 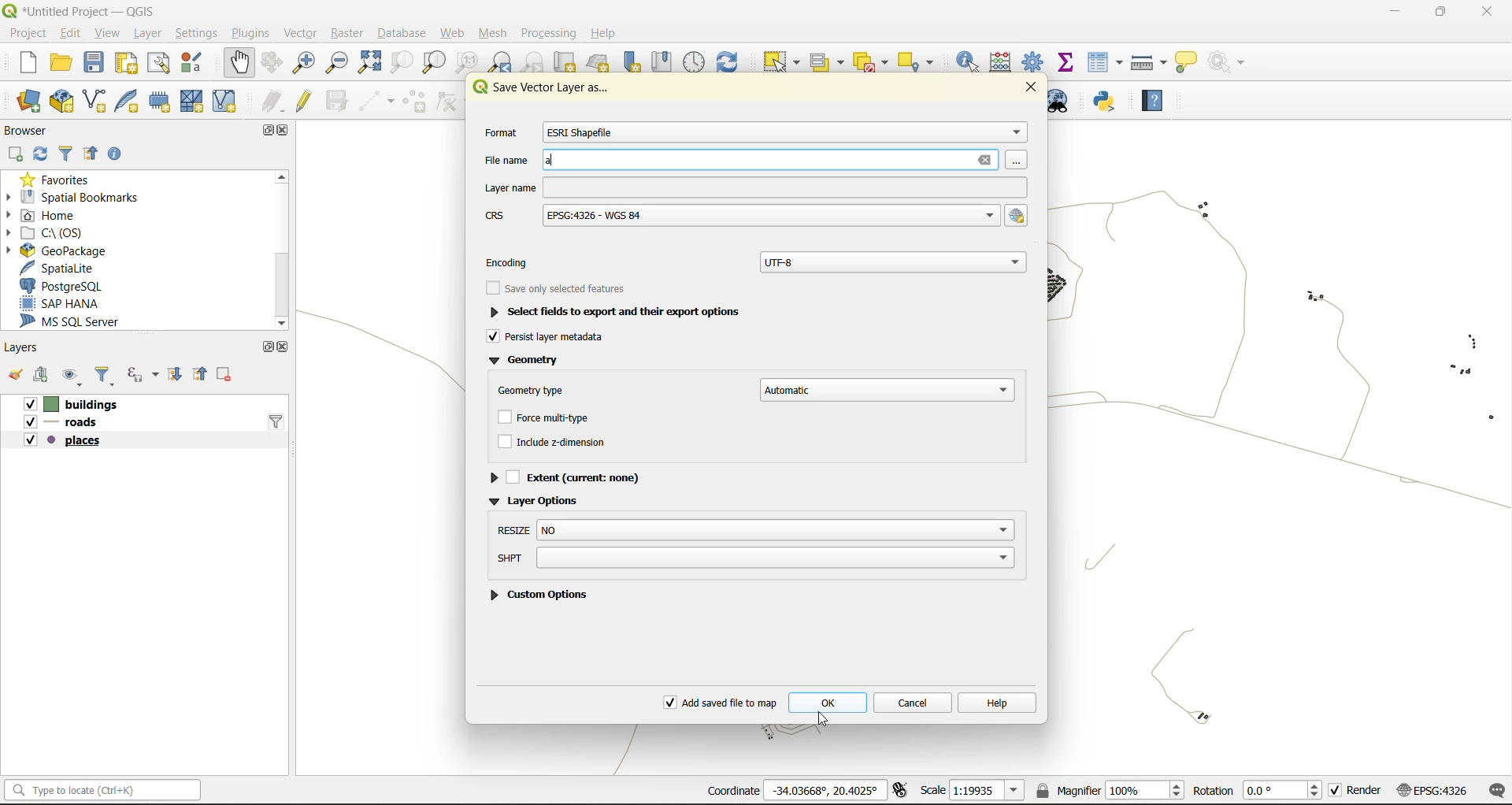 What do you see at coordinates (608, 33) in the screenshot?
I see `help` at bounding box center [608, 33].